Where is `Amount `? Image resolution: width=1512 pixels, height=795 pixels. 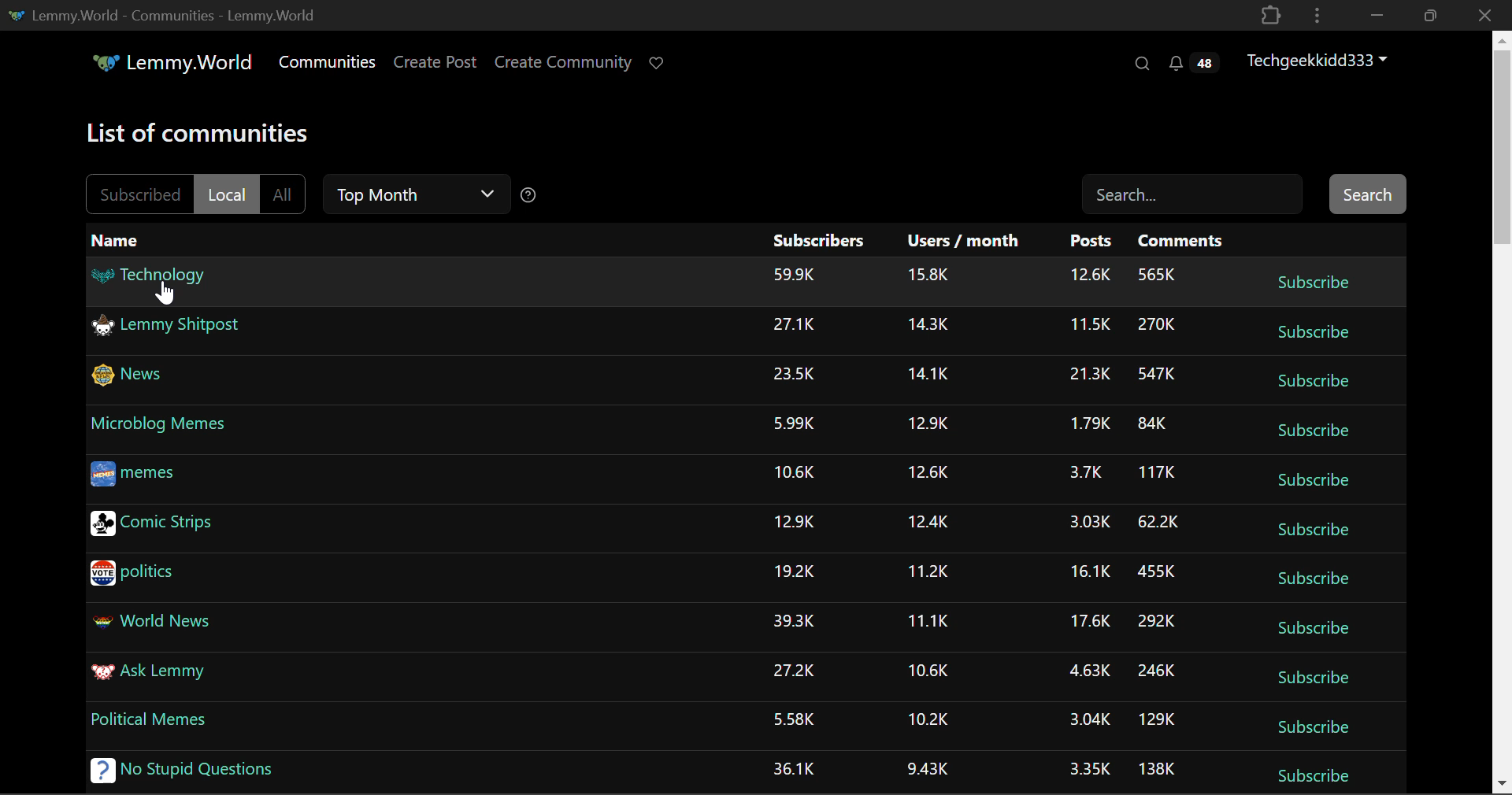
Amount  is located at coordinates (1087, 574).